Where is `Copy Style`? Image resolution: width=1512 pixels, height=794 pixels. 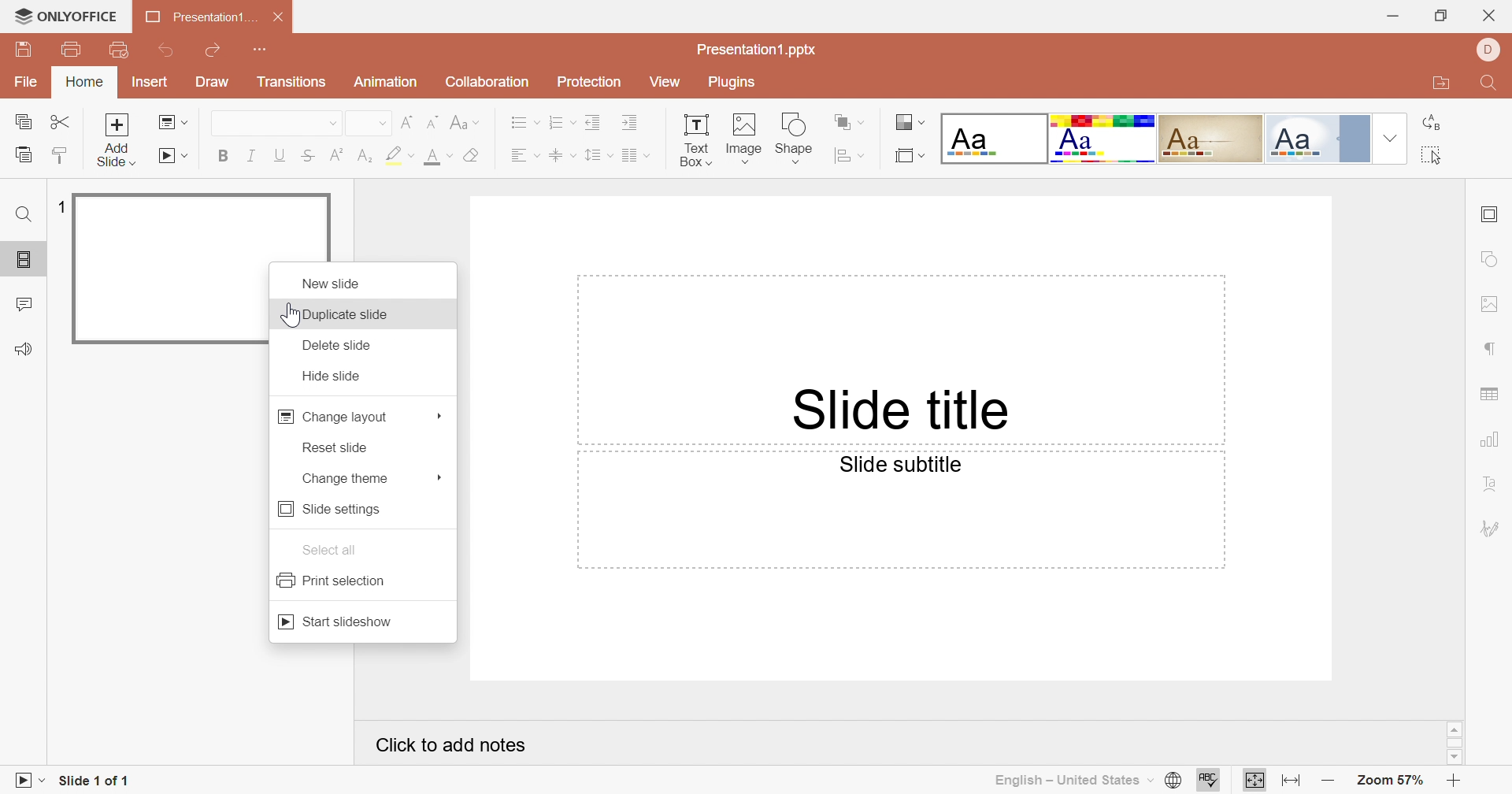 Copy Style is located at coordinates (61, 154).